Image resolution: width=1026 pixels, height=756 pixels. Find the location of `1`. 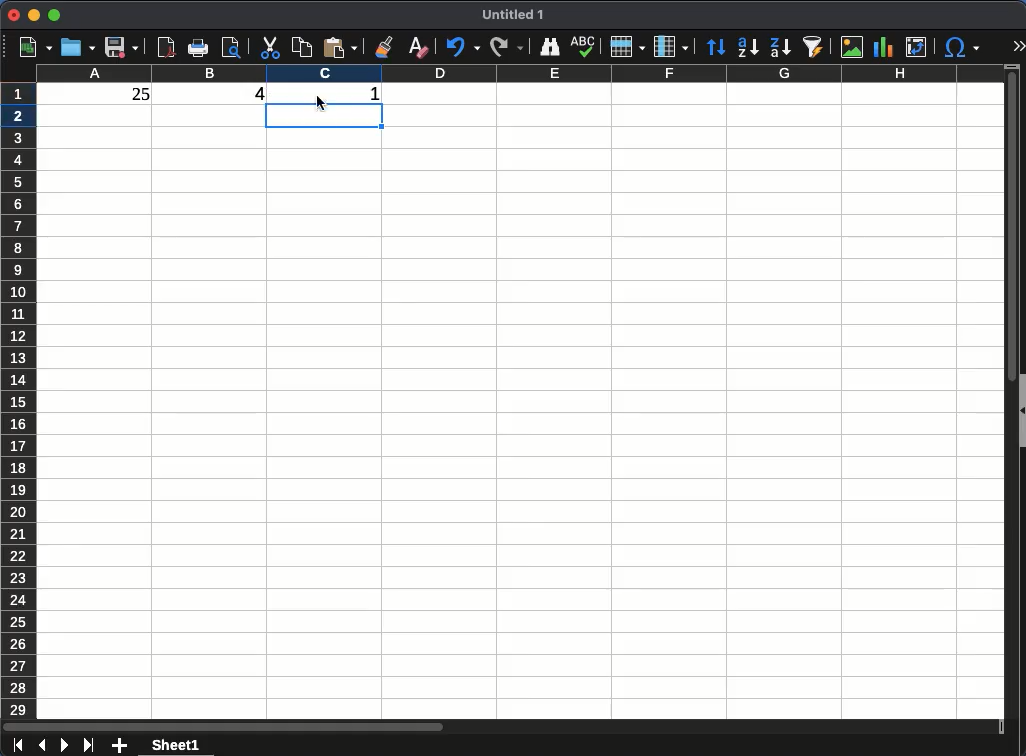

1 is located at coordinates (372, 94).